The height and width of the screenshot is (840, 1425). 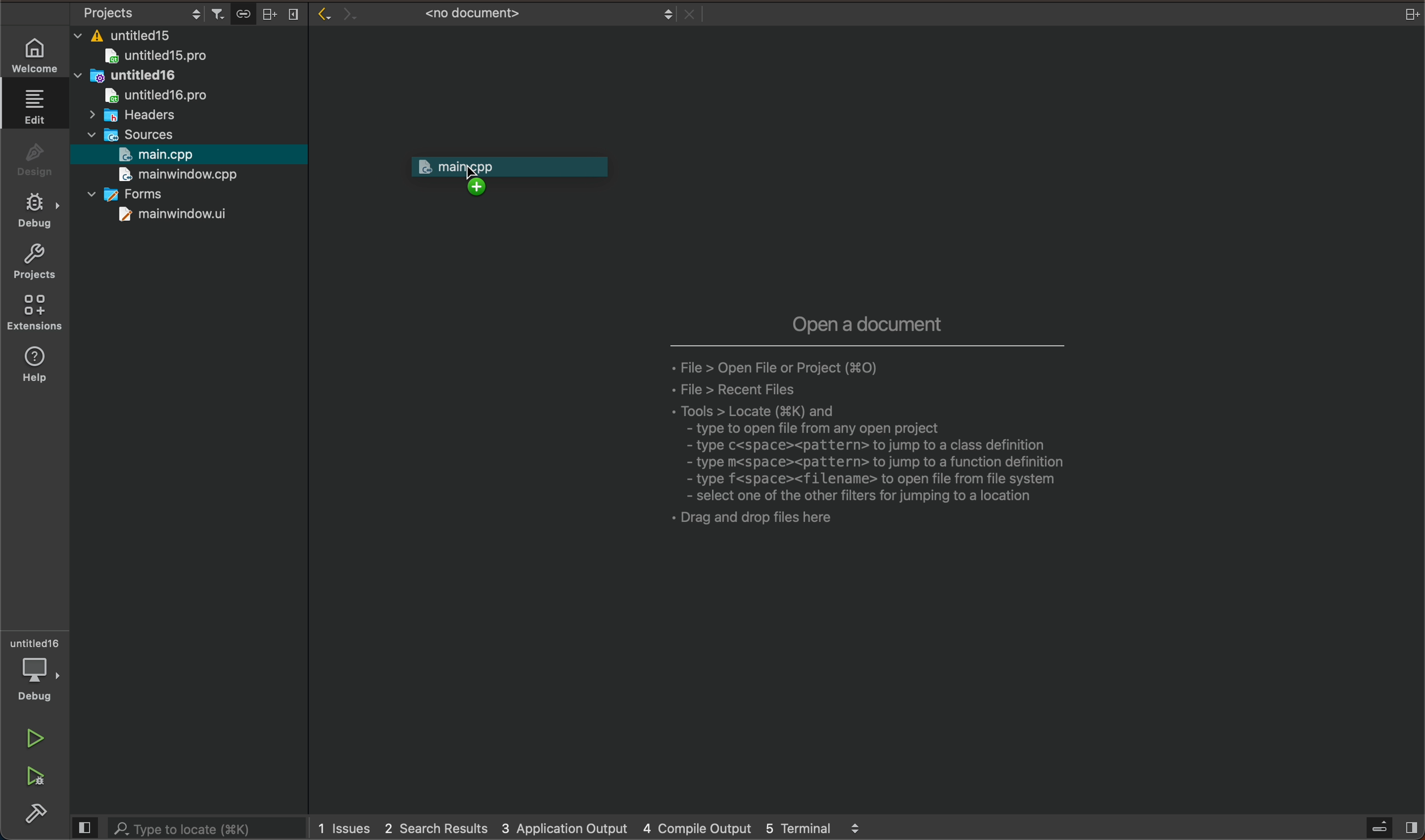 What do you see at coordinates (173, 175) in the screenshot?
I see `mainwindow.cpp` at bounding box center [173, 175].